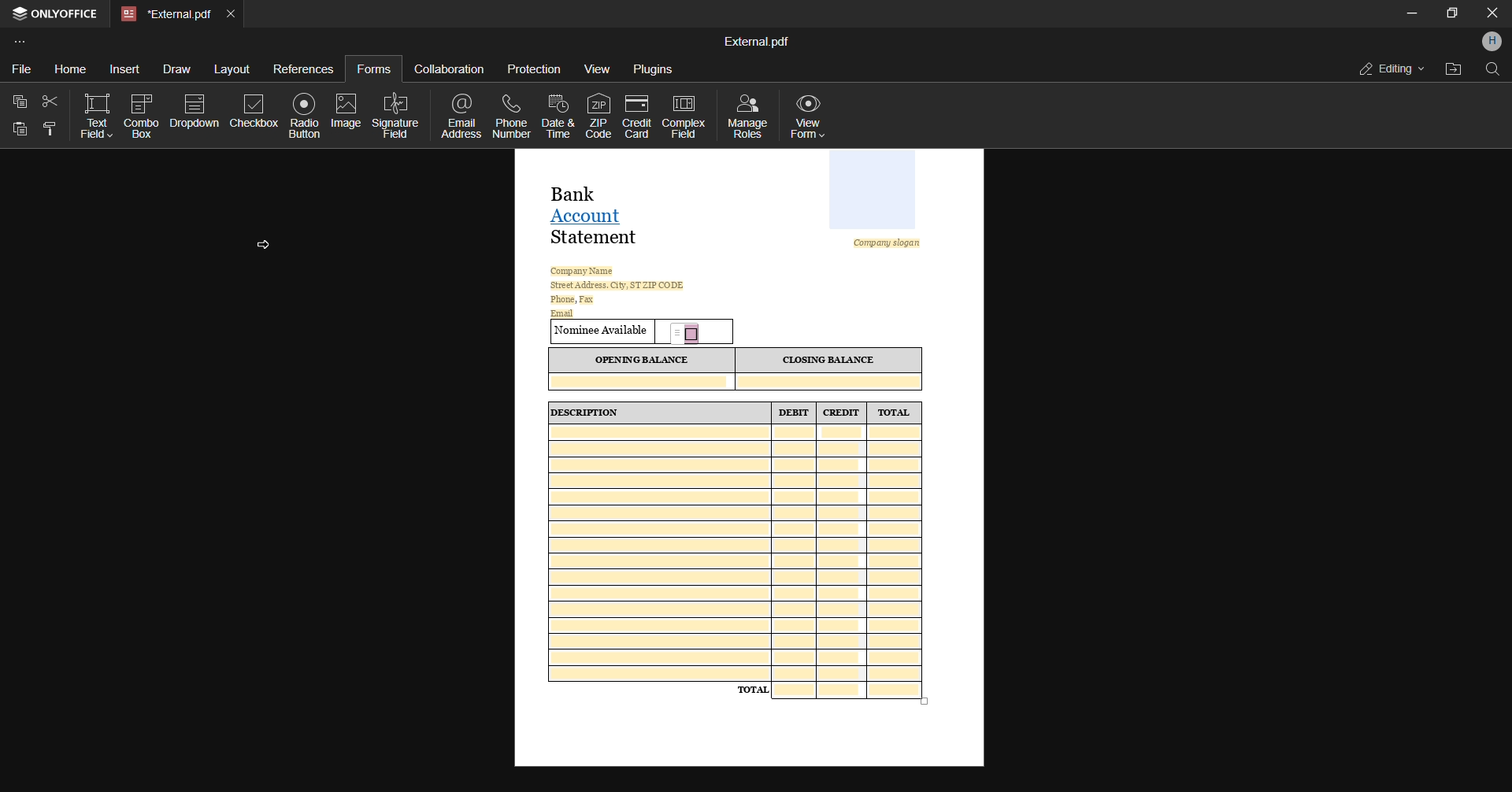 The image size is (1512, 792). Describe the element at coordinates (264, 243) in the screenshot. I see `cursor` at that location.